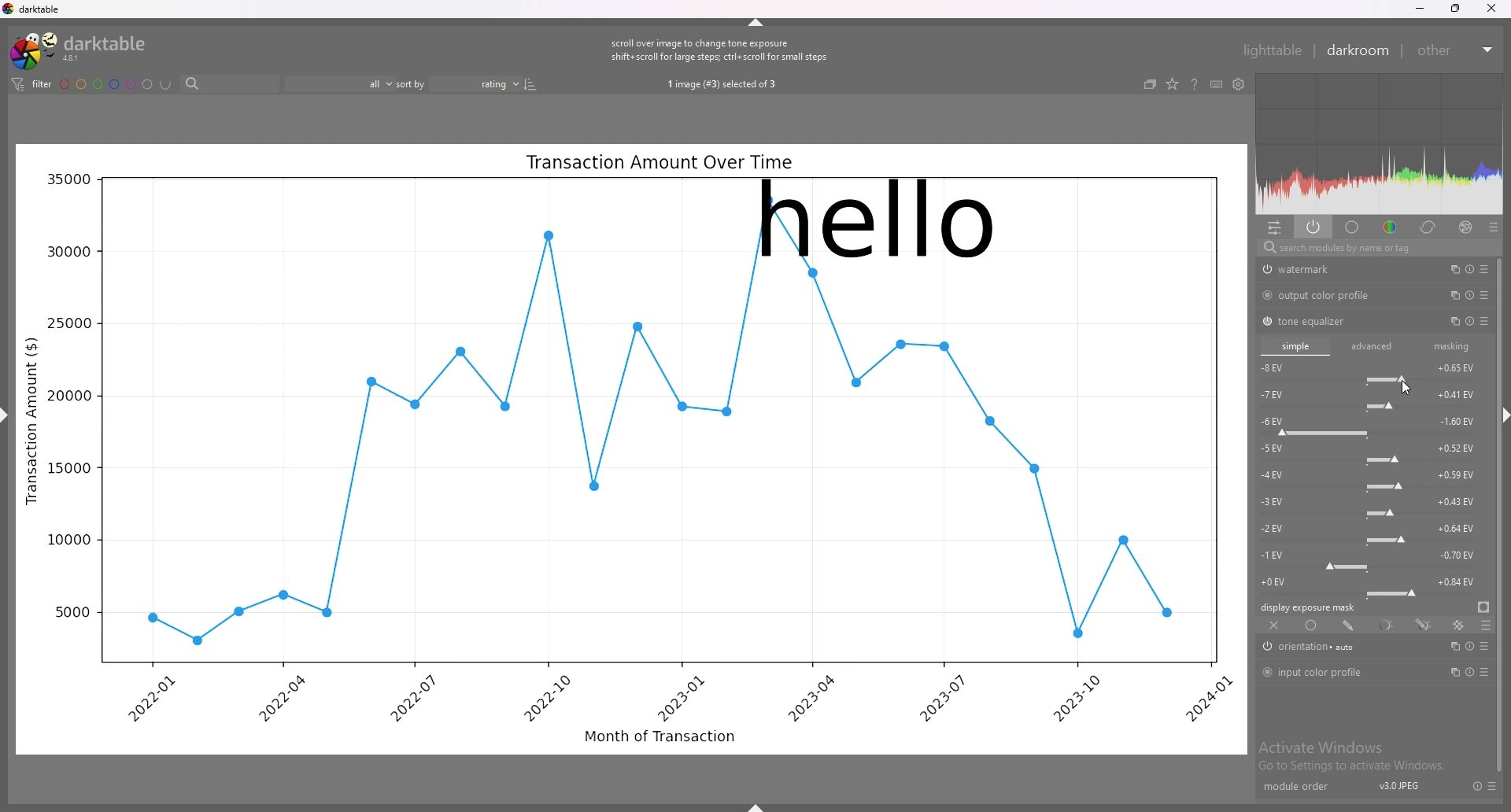  I want to click on Transaction Amount Over Time, so click(659, 162).